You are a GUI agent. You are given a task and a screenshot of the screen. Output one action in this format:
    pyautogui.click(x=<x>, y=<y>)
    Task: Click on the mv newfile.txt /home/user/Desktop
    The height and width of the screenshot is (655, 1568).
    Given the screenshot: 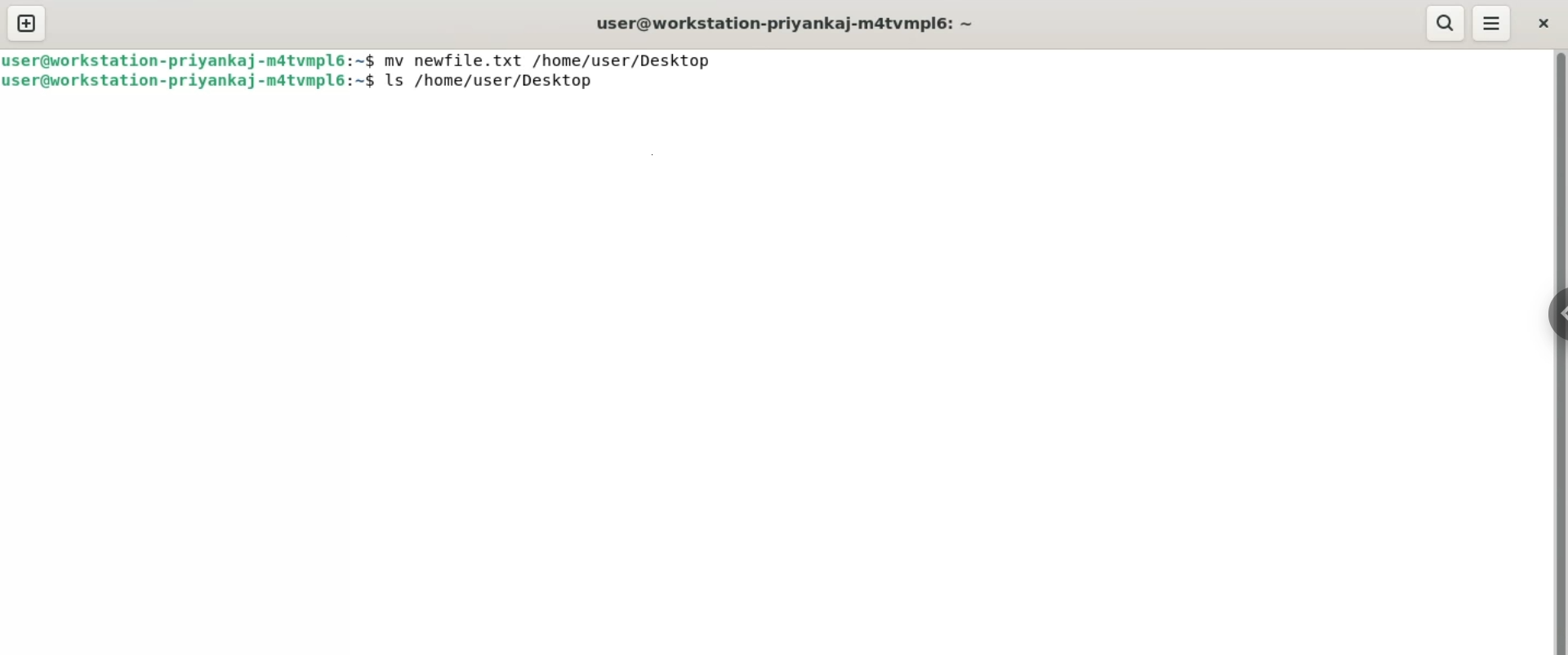 What is the action you would take?
    pyautogui.click(x=550, y=59)
    